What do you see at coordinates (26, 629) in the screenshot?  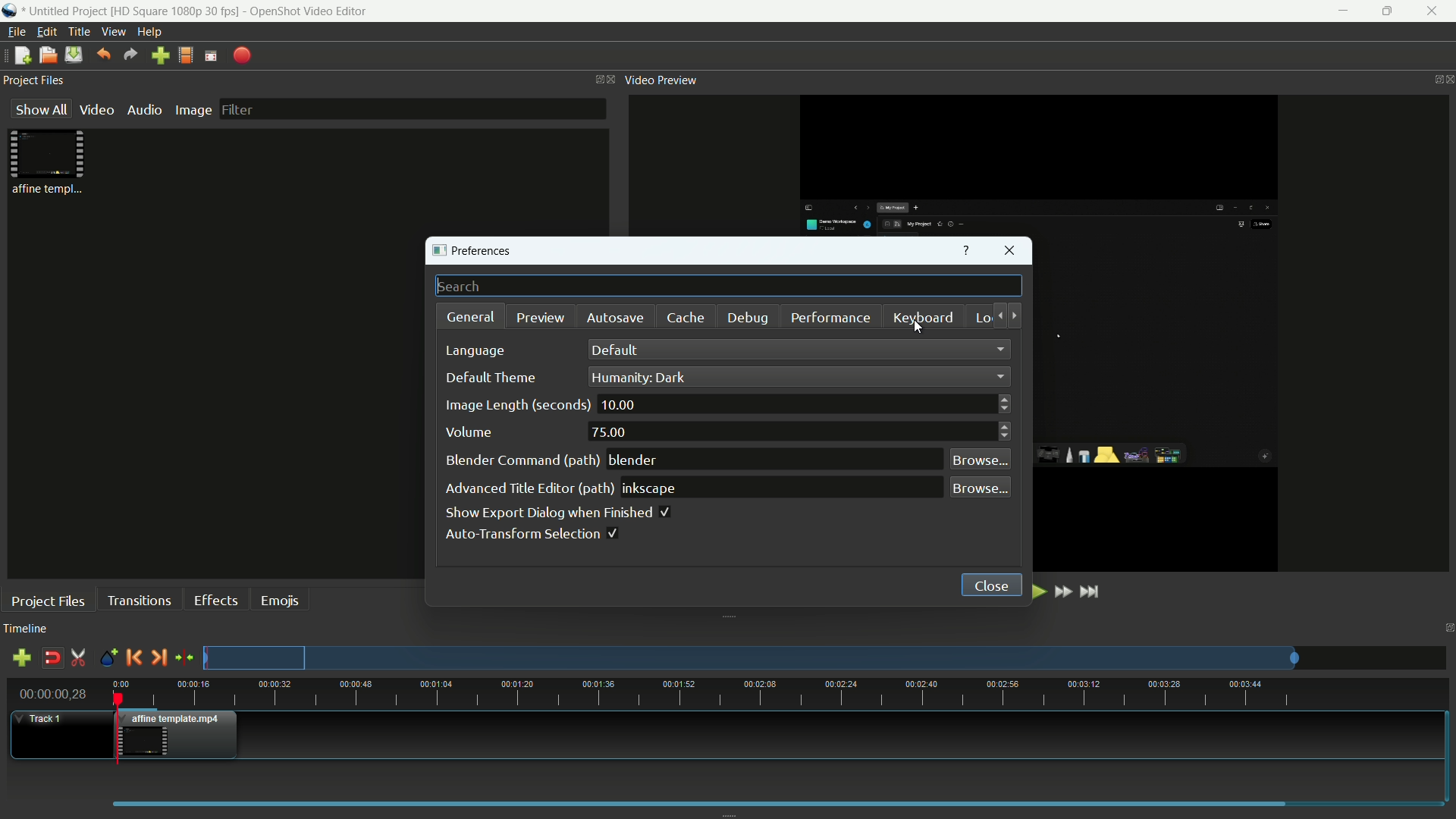 I see `timeline` at bounding box center [26, 629].